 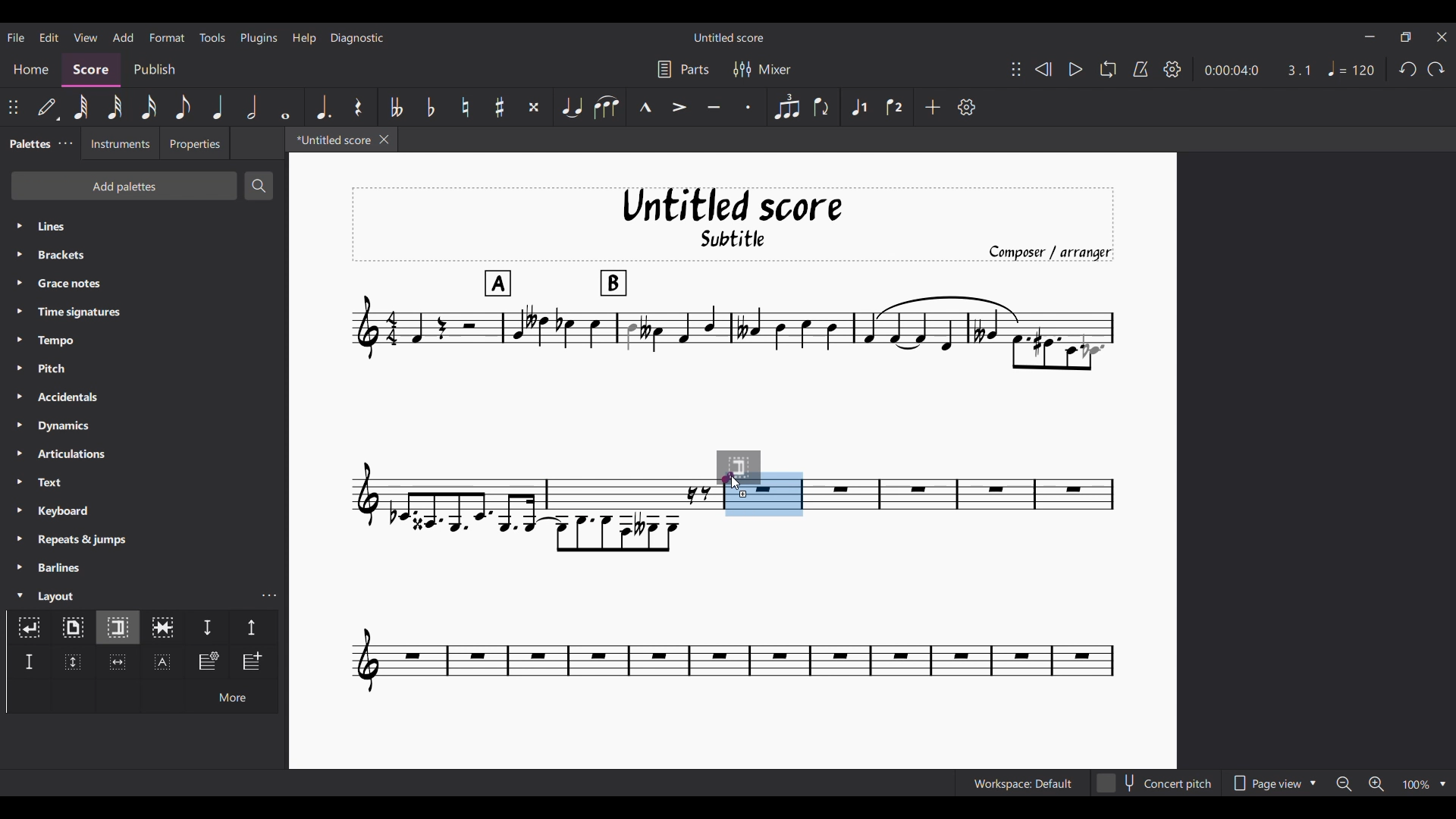 I want to click on Current score, so click(x=532, y=483).